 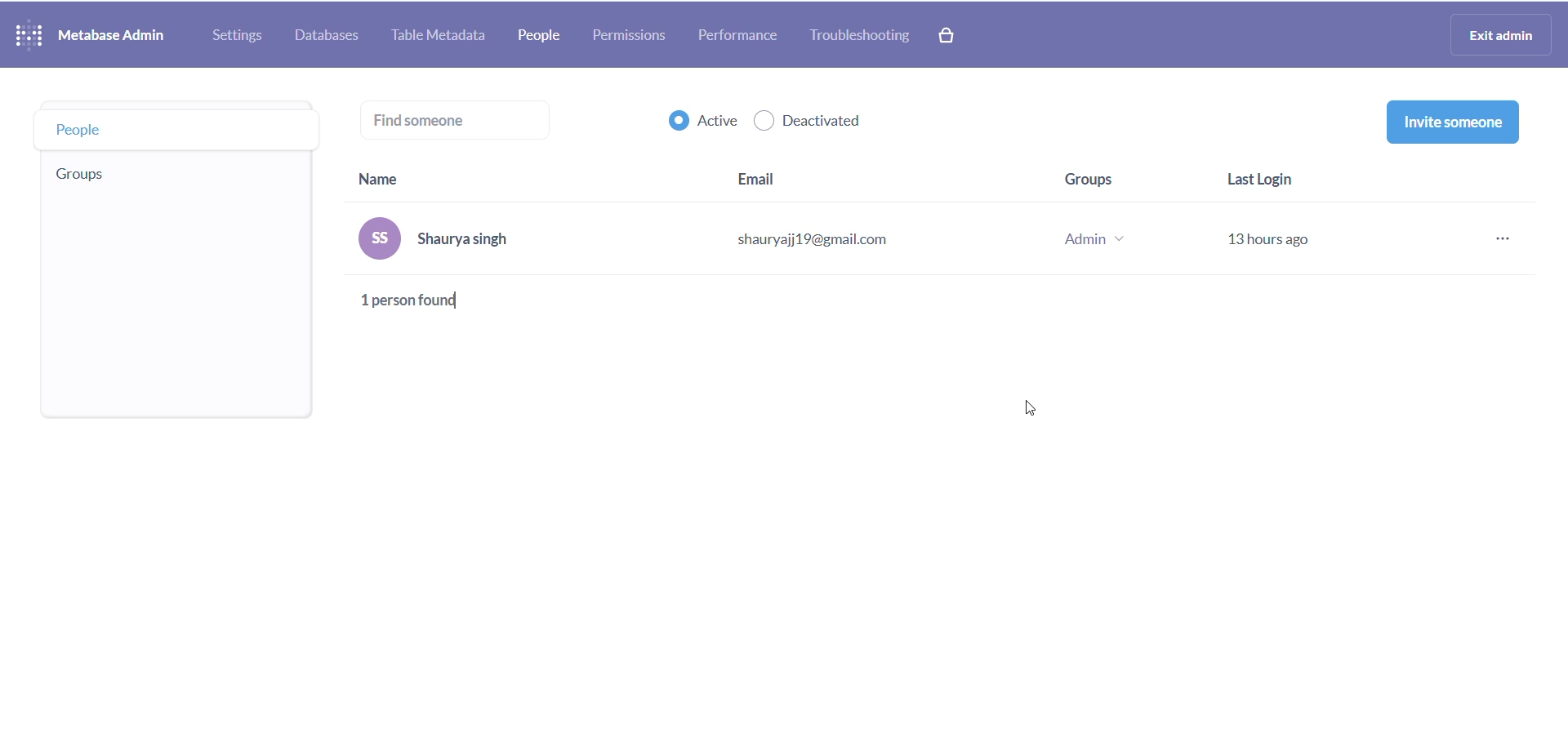 What do you see at coordinates (1502, 34) in the screenshot?
I see `exit admin` at bounding box center [1502, 34].